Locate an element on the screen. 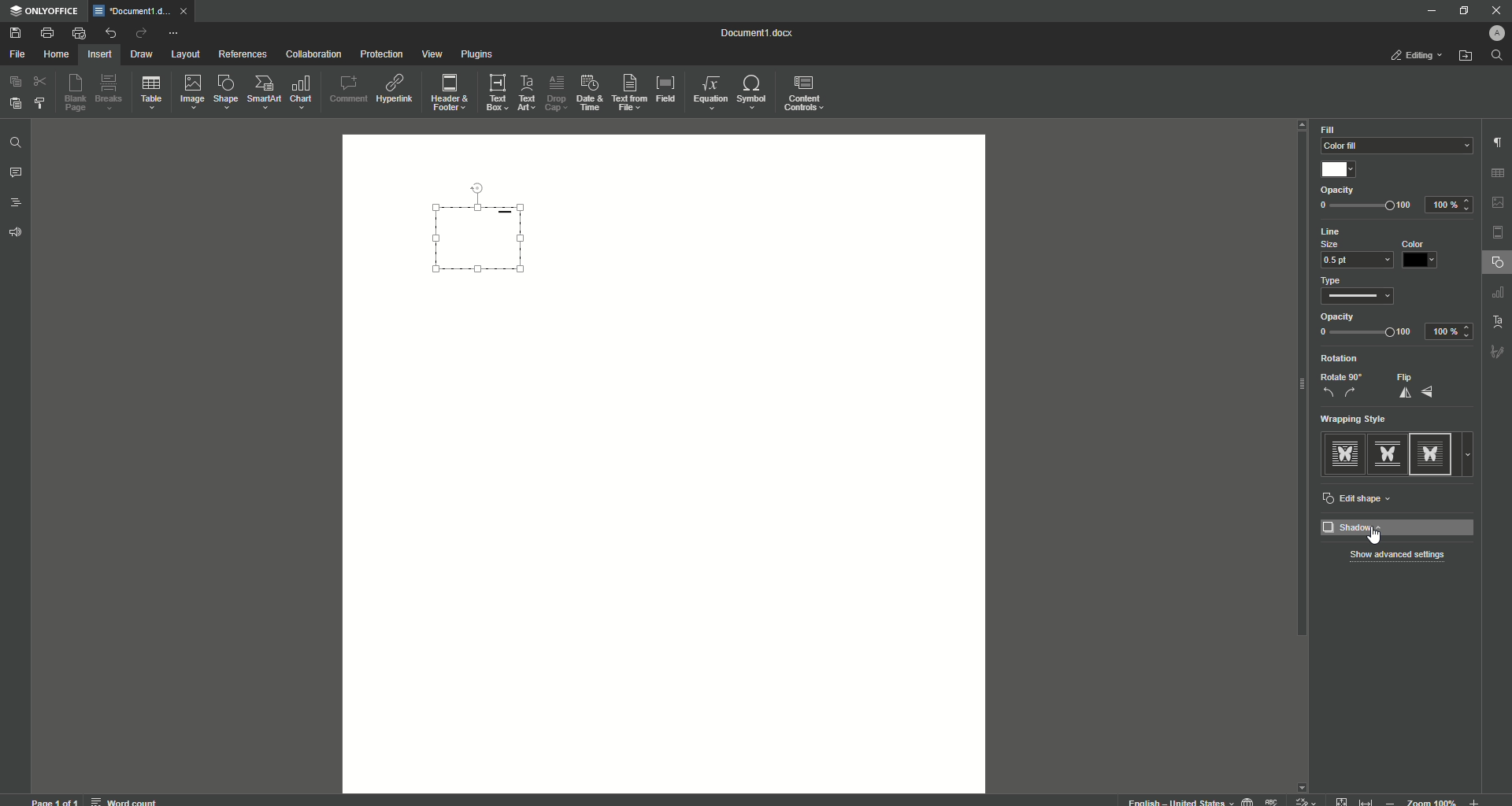  Open From File is located at coordinates (1466, 56).